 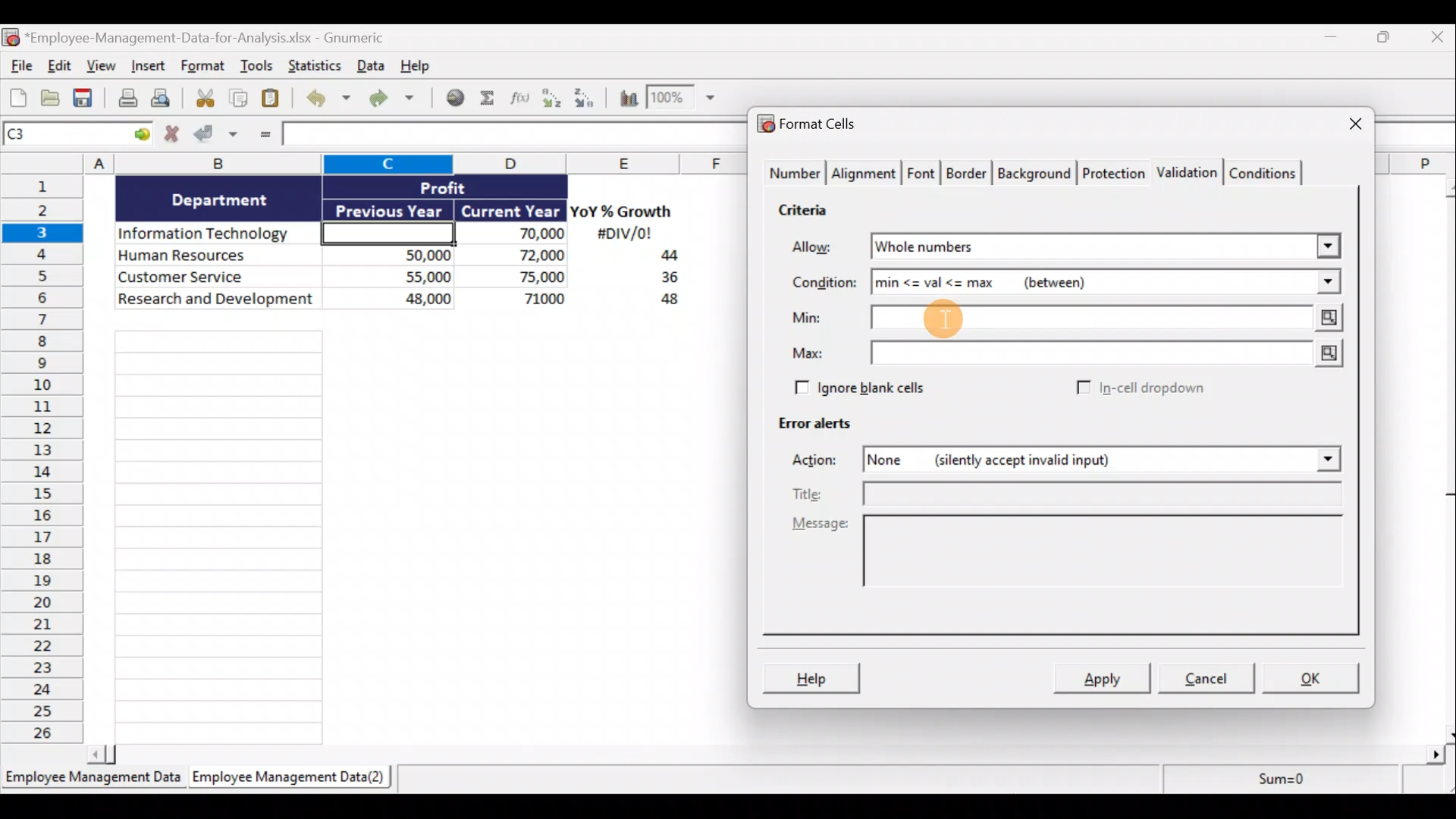 I want to click on Min:, so click(x=810, y=319).